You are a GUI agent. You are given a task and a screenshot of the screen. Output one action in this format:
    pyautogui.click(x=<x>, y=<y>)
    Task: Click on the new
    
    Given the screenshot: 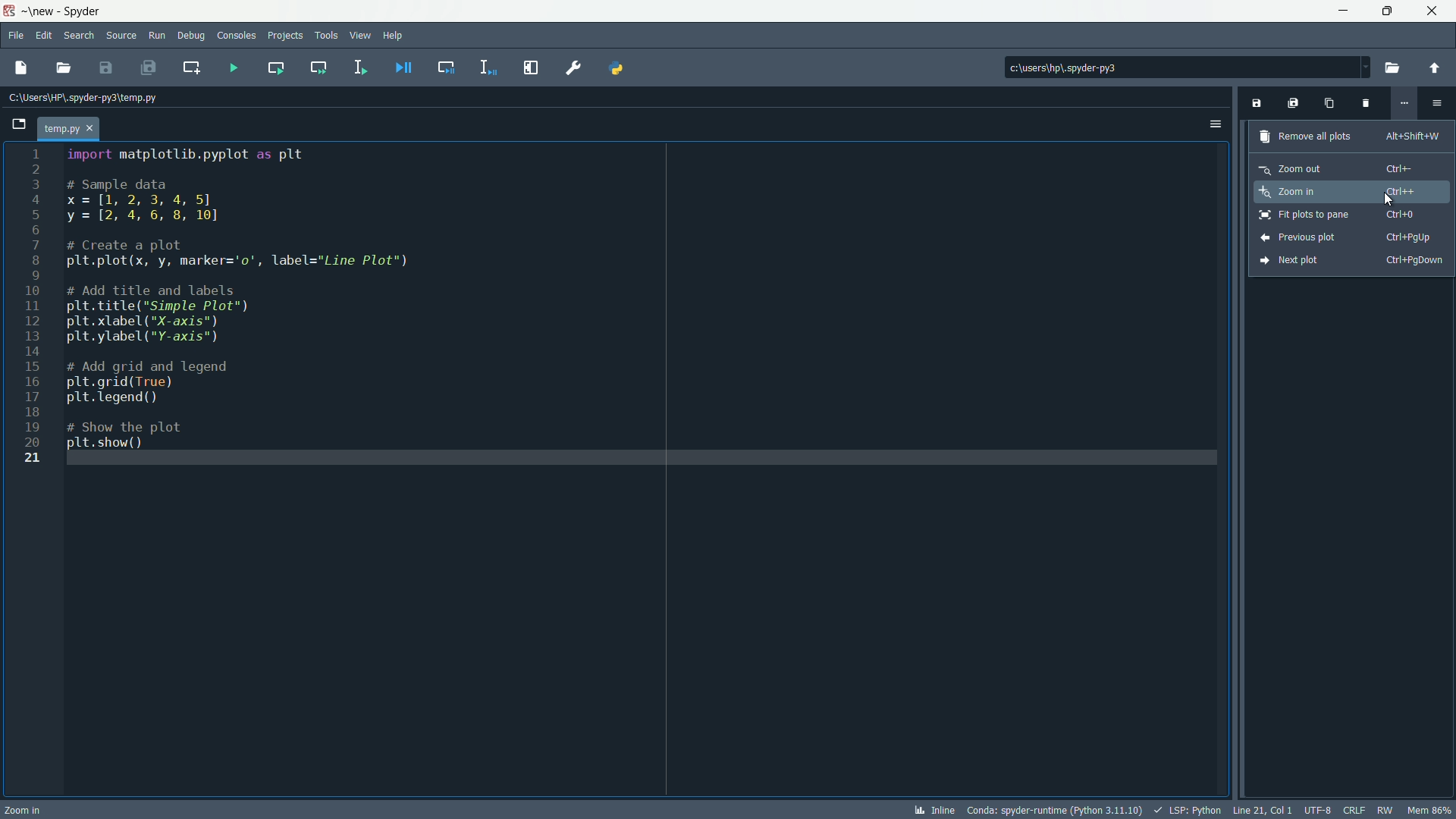 What is the action you would take?
    pyautogui.click(x=40, y=11)
    